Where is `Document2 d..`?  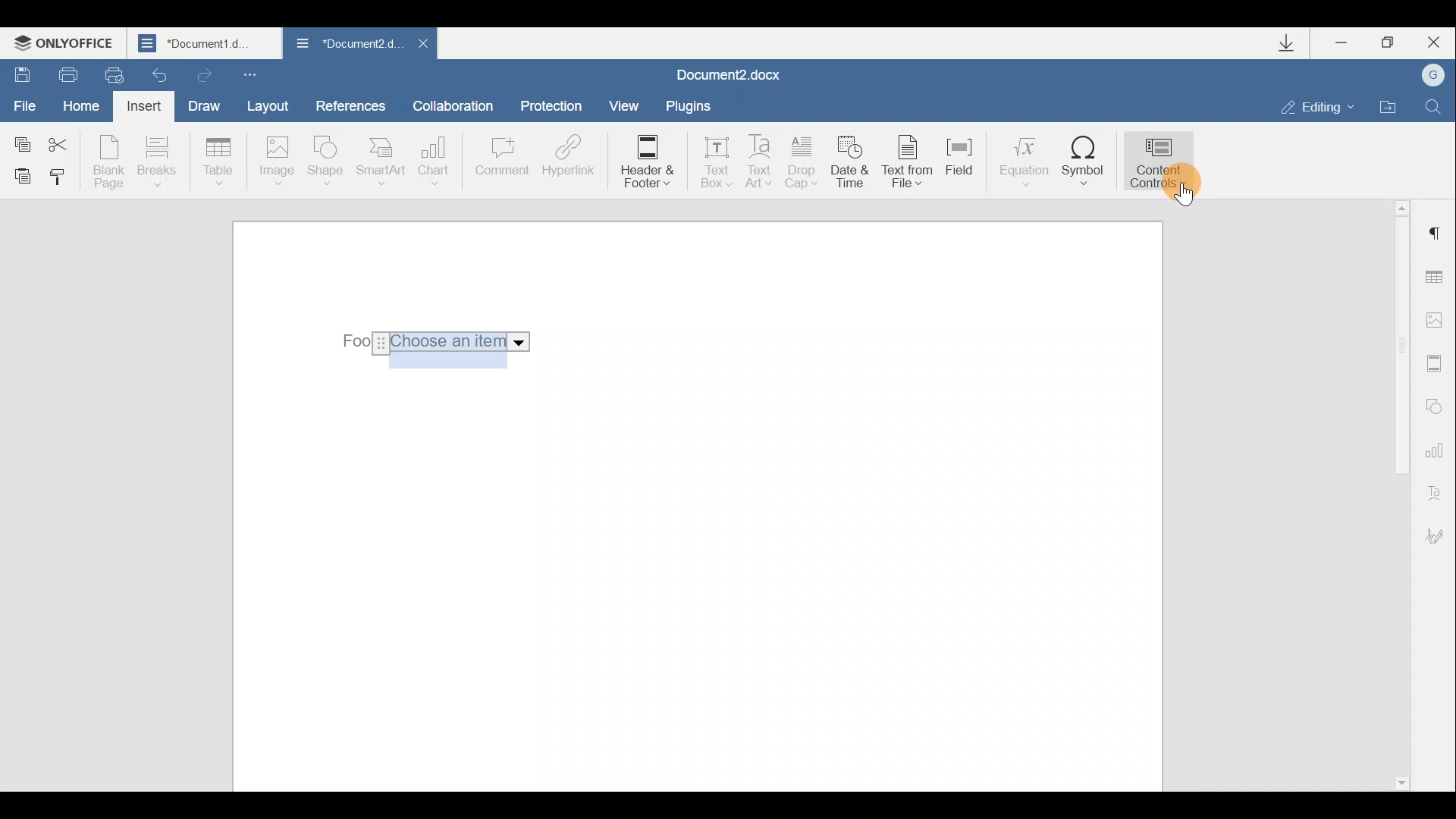 Document2 d.. is located at coordinates (347, 46).